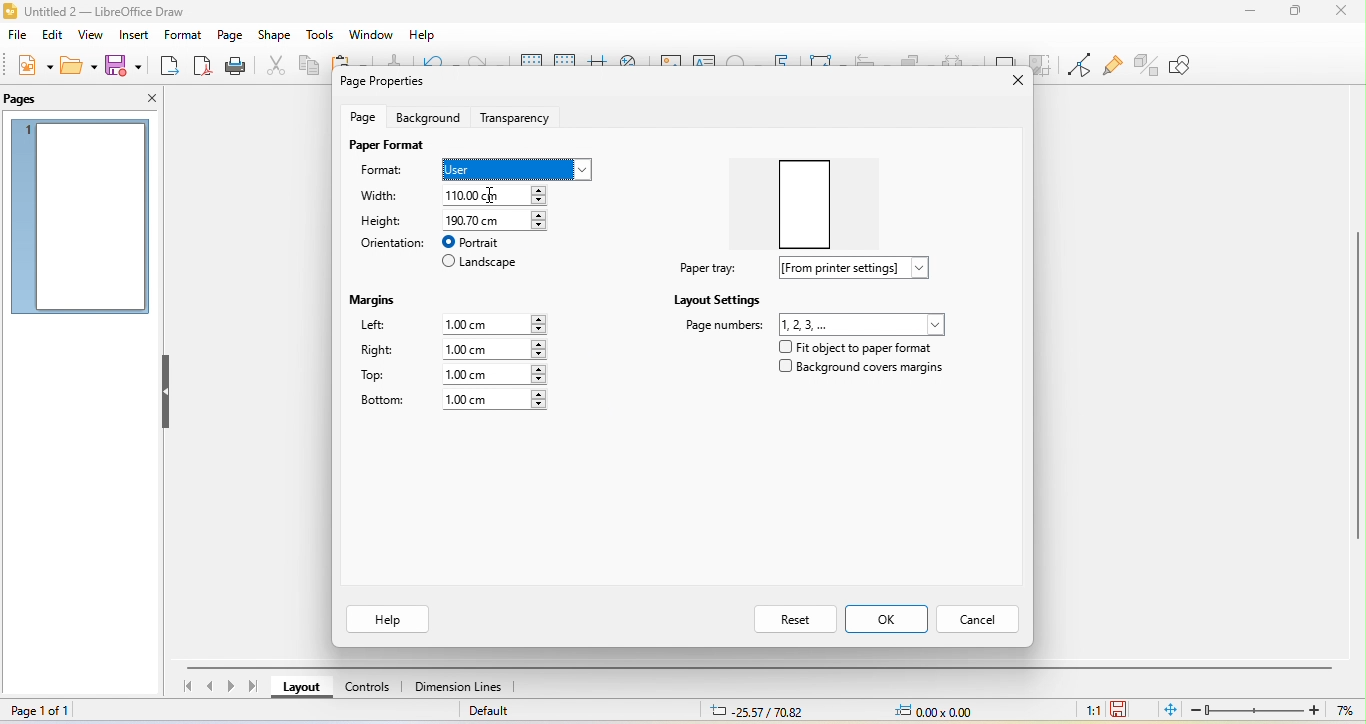  What do you see at coordinates (1110, 66) in the screenshot?
I see `show gluepoint function` at bounding box center [1110, 66].